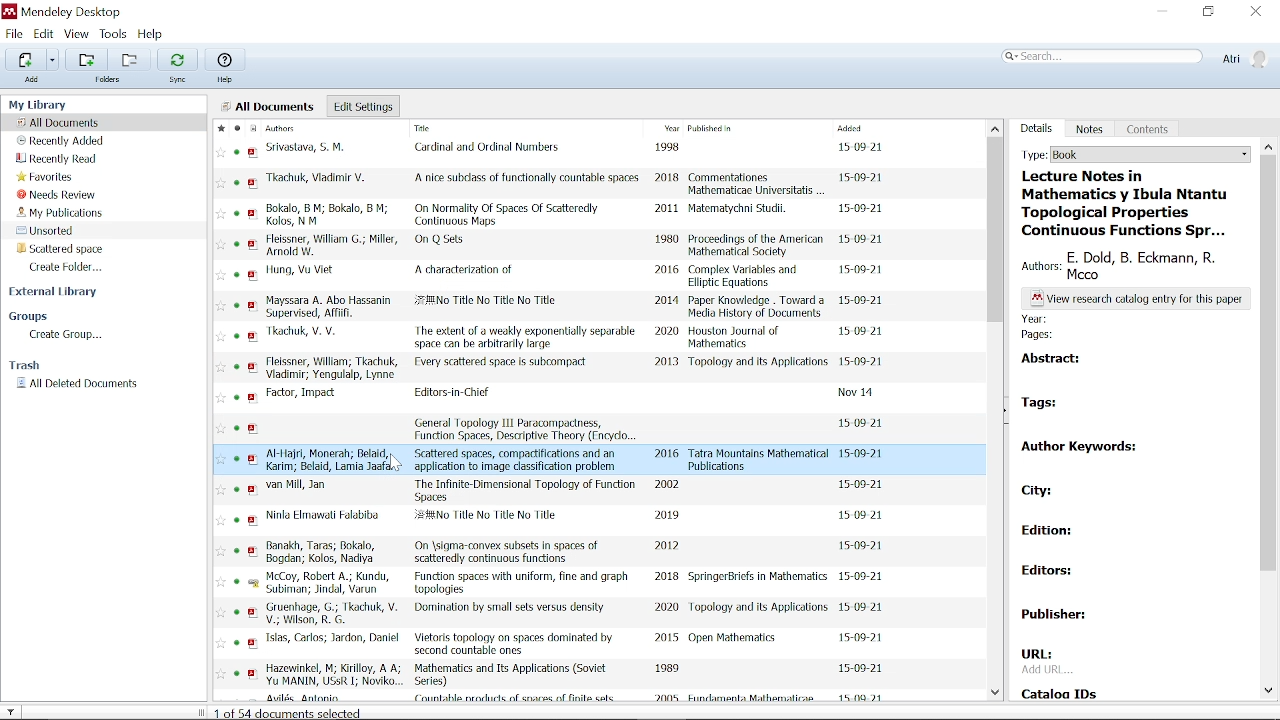 The height and width of the screenshot is (720, 1280). Describe the element at coordinates (1036, 488) in the screenshot. I see `city` at that location.